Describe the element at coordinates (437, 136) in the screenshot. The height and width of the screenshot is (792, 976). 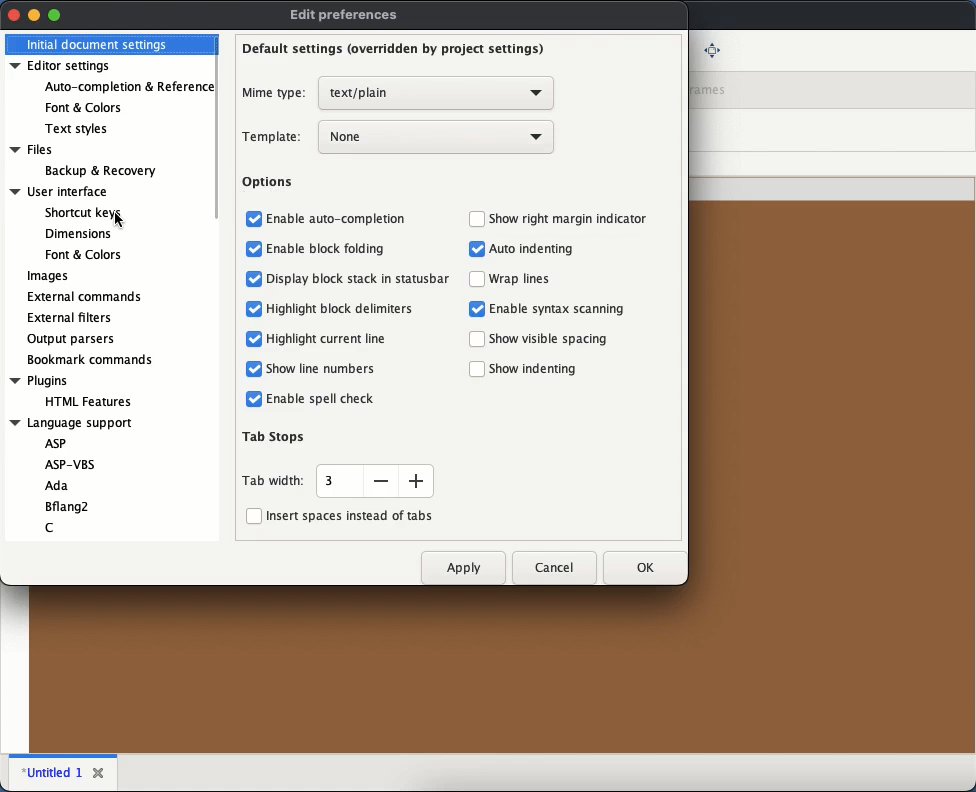
I see `none` at that location.